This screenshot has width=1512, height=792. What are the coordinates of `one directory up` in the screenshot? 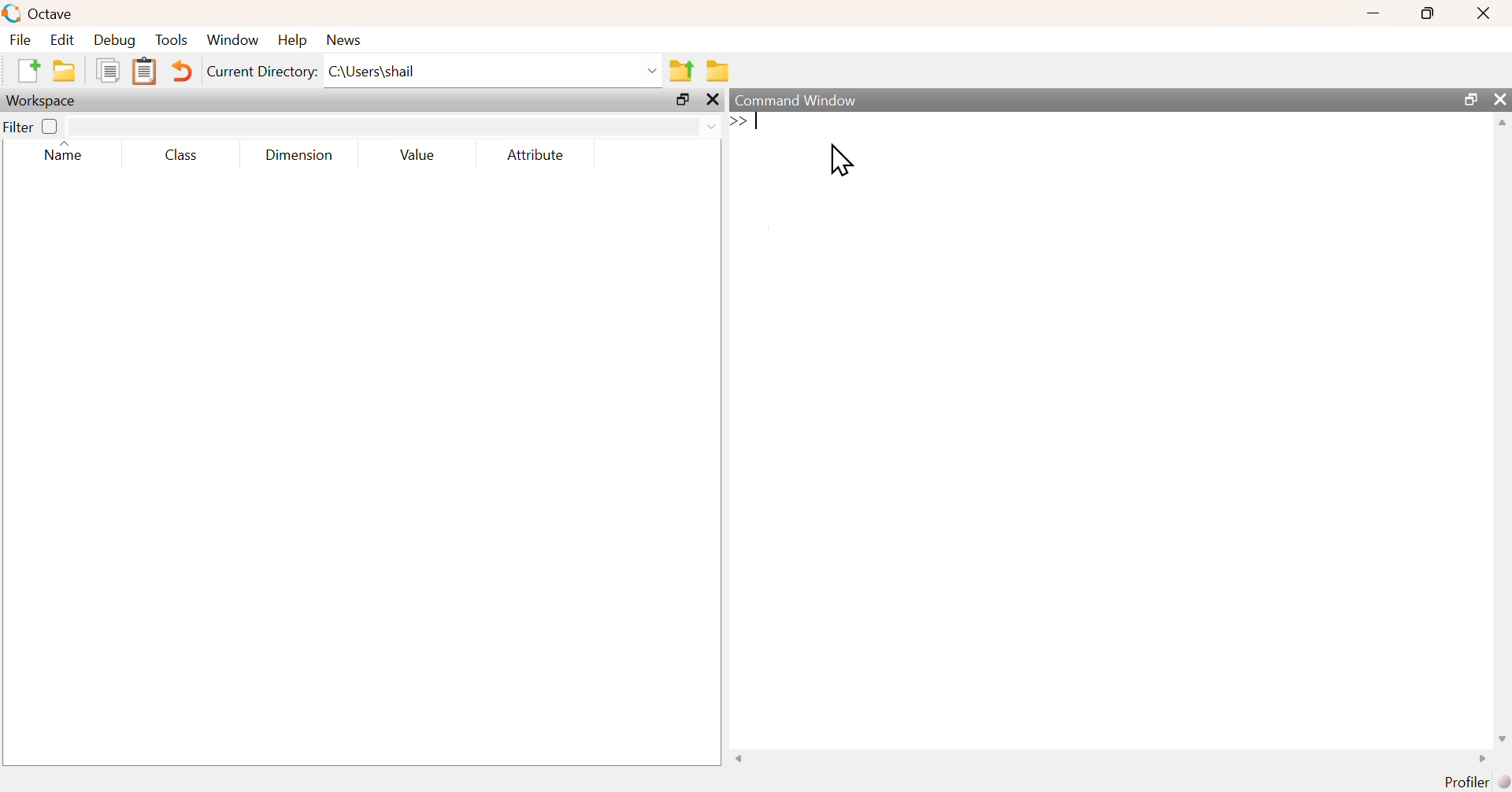 It's located at (683, 69).